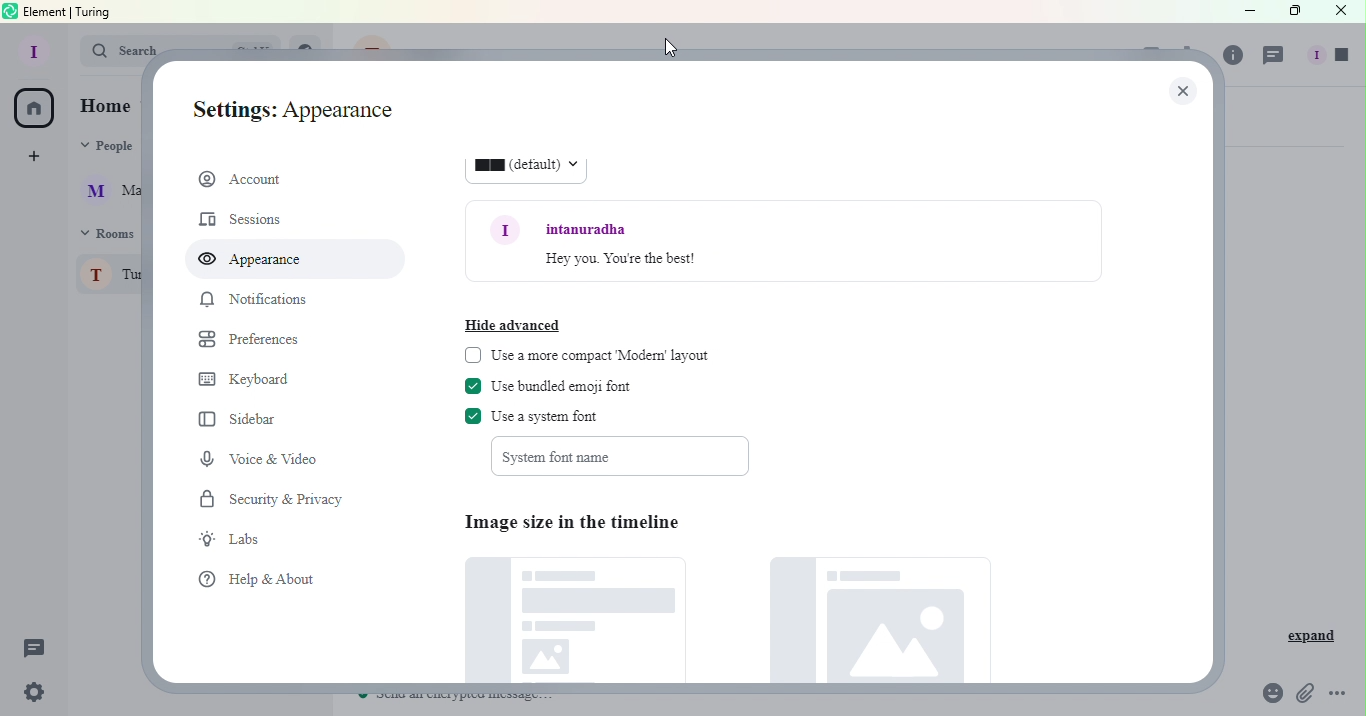 The height and width of the screenshot is (716, 1366). I want to click on Create a space, so click(34, 156).